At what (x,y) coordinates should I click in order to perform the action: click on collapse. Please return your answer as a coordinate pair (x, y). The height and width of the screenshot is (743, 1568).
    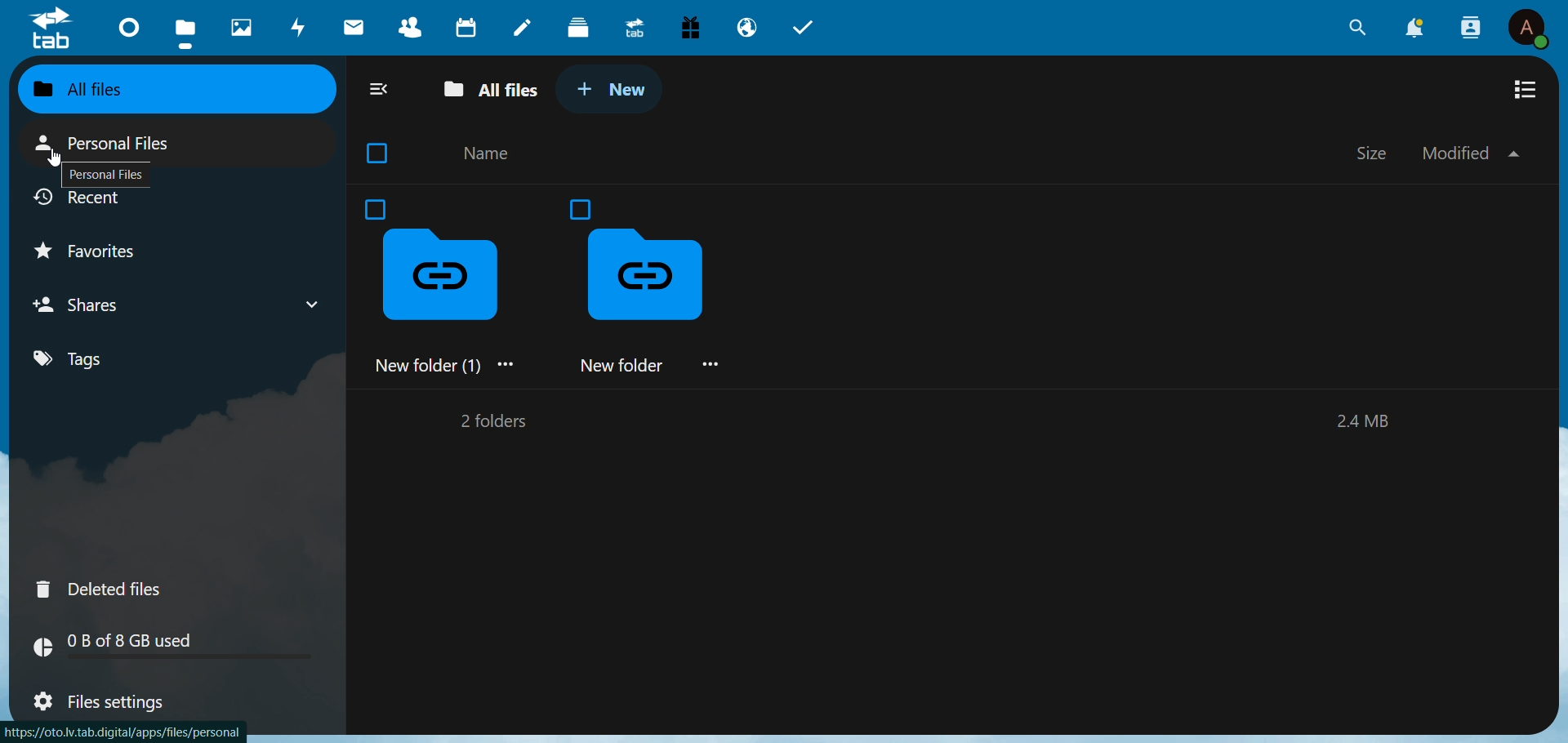
    Looking at the image, I should click on (382, 90).